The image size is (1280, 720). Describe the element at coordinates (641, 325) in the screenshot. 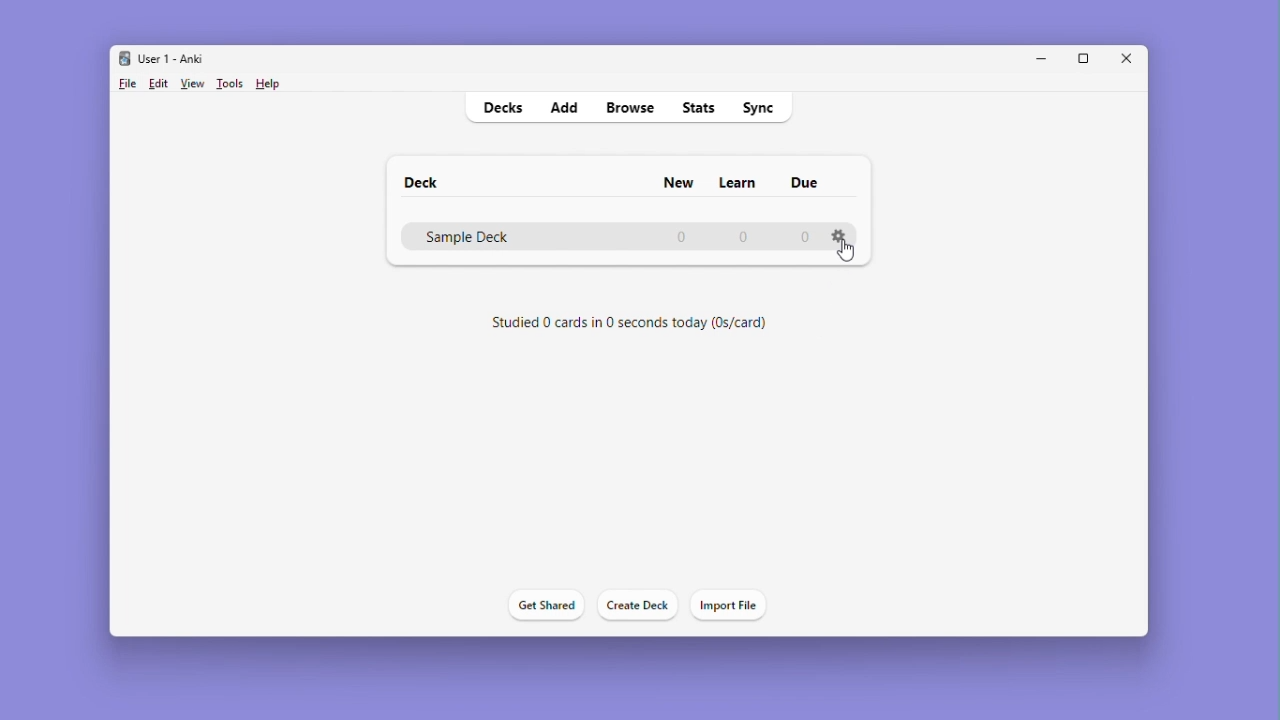

I see `Studied 0 cards in 0 seconds today (0s/card)` at that location.